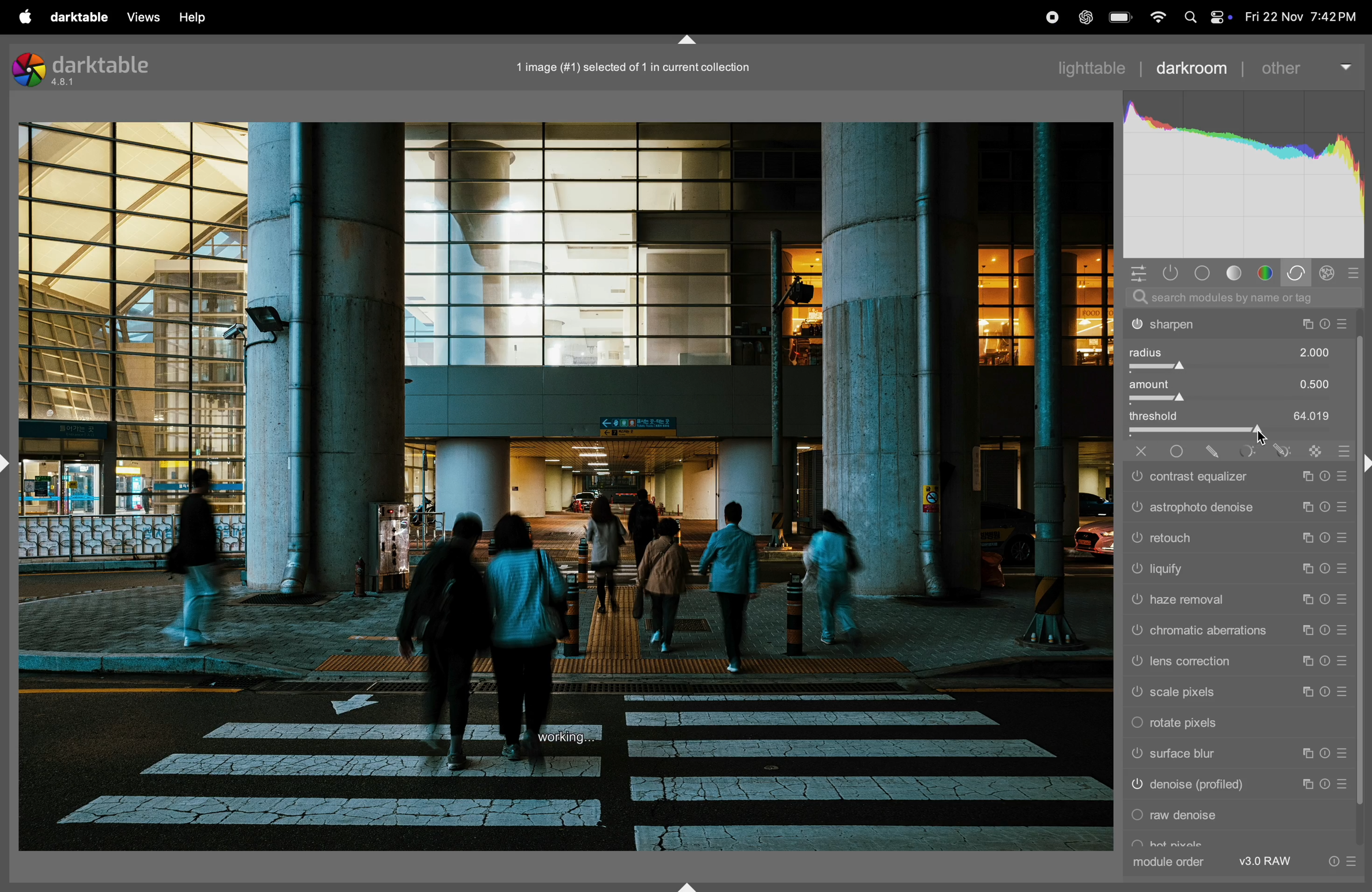  What do you see at coordinates (1236, 477) in the screenshot?
I see `contrast equalizer` at bounding box center [1236, 477].